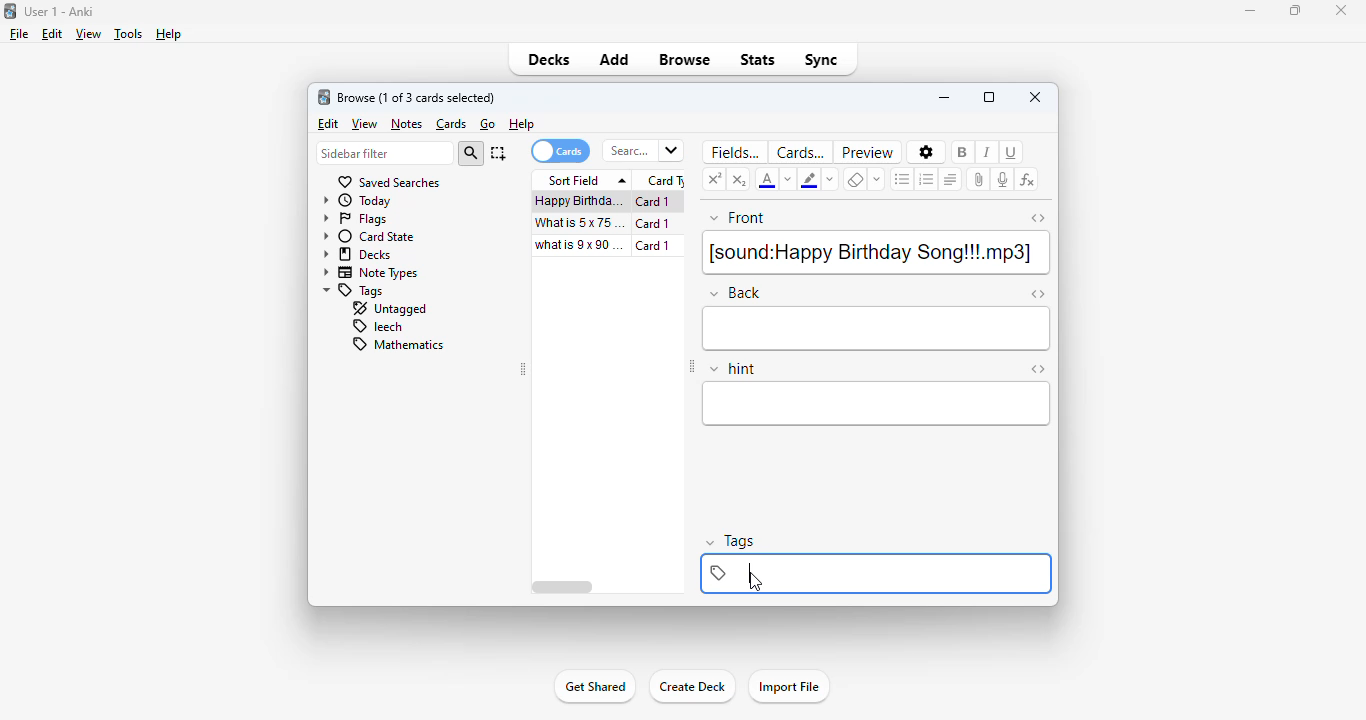 The height and width of the screenshot is (720, 1366). Describe the element at coordinates (1013, 152) in the screenshot. I see `underline` at that location.